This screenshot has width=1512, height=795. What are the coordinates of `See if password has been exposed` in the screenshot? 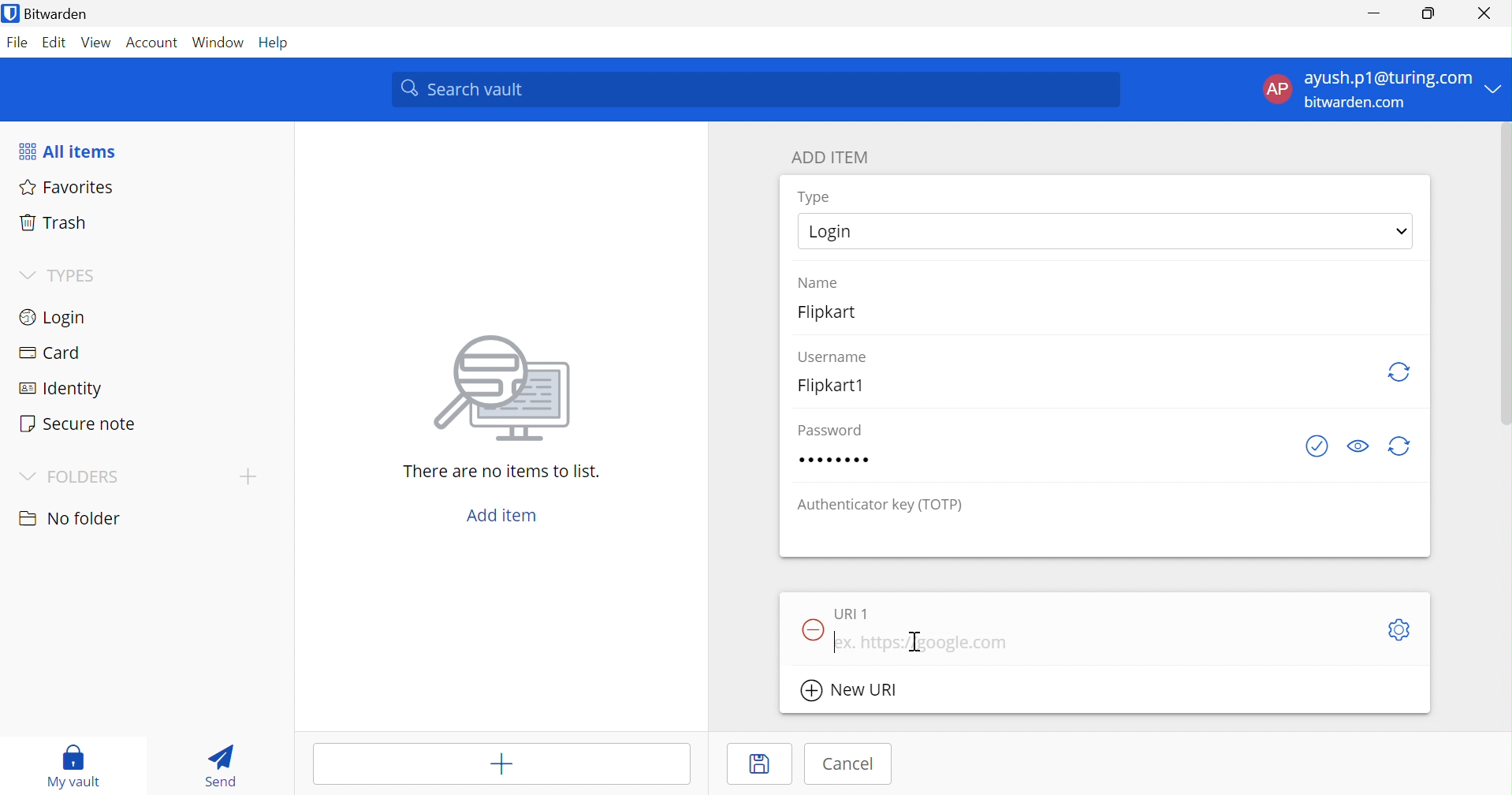 It's located at (1317, 447).